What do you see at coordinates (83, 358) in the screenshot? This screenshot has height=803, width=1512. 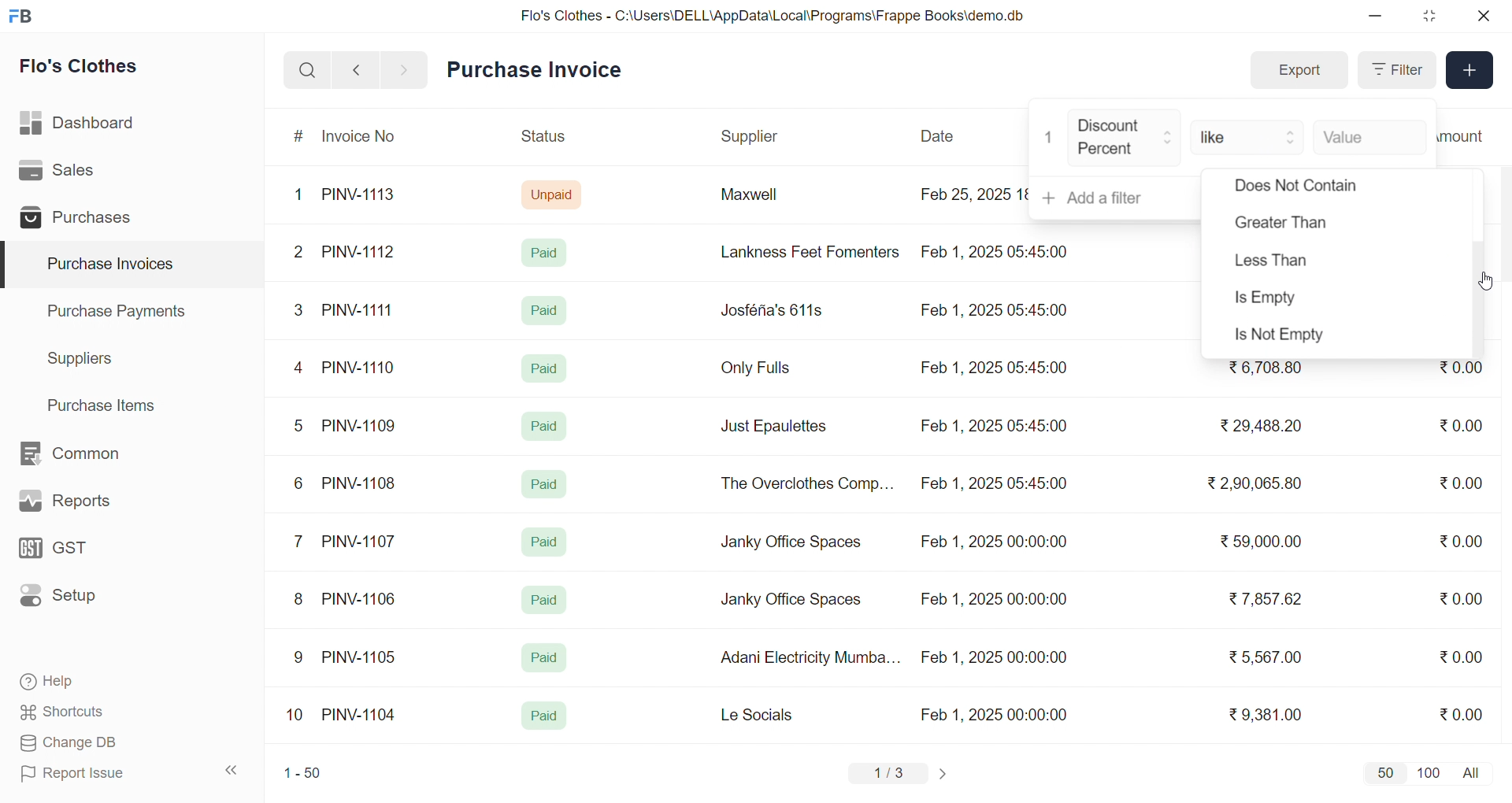 I see `Suppliers` at bounding box center [83, 358].